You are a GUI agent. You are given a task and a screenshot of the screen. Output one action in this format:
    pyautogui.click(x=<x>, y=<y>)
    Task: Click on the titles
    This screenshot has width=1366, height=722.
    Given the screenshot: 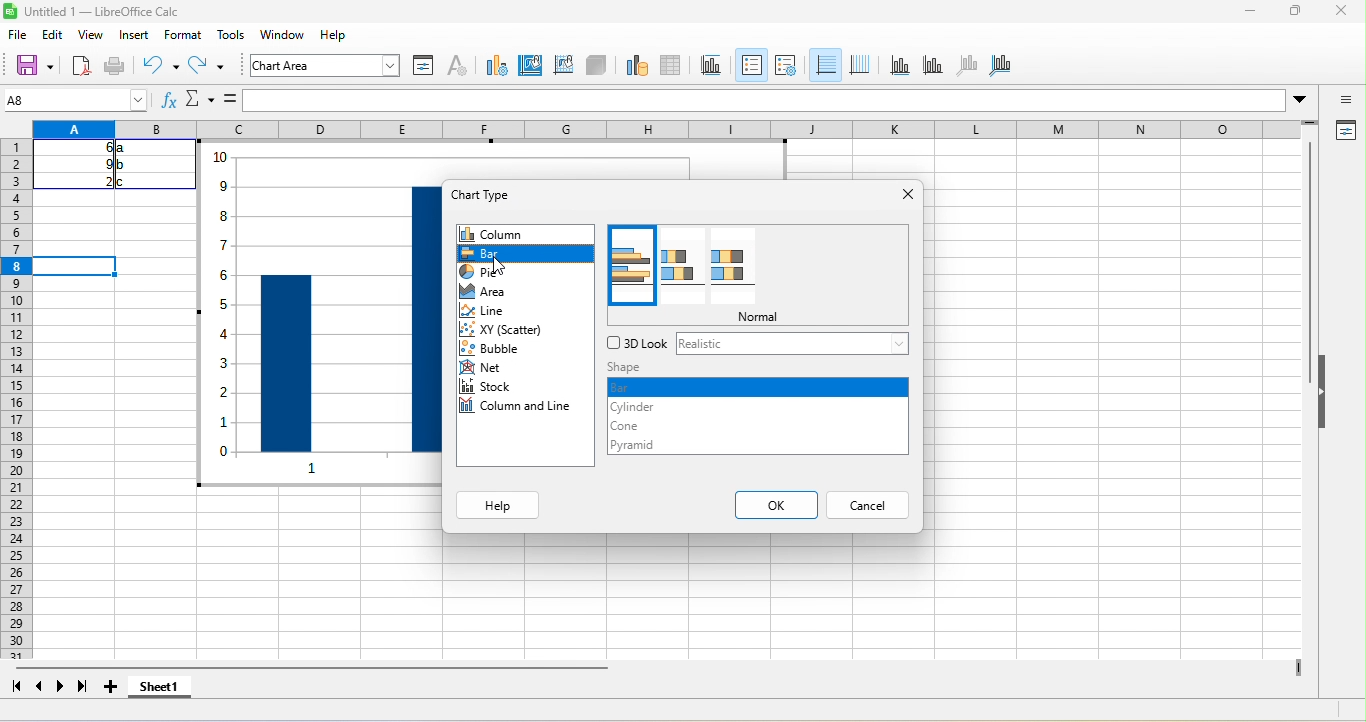 What is the action you would take?
    pyautogui.click(x=750, y=64)
    